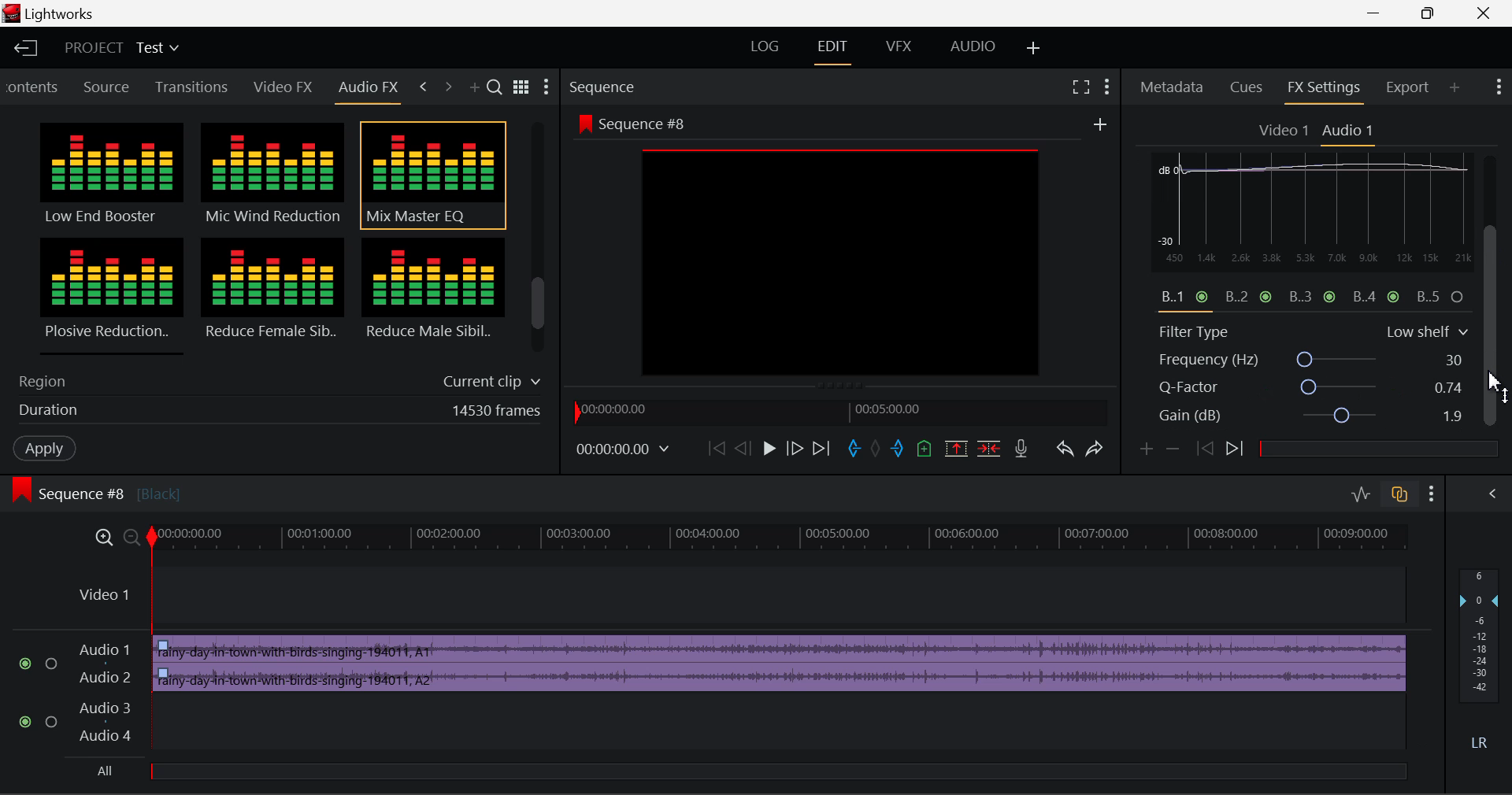 The height and width of the screenshot is (795, 1512). What do you see at coordinates (1247, 89) in the screenshot?
I see `Cues` at bounding box center [1247, 89].